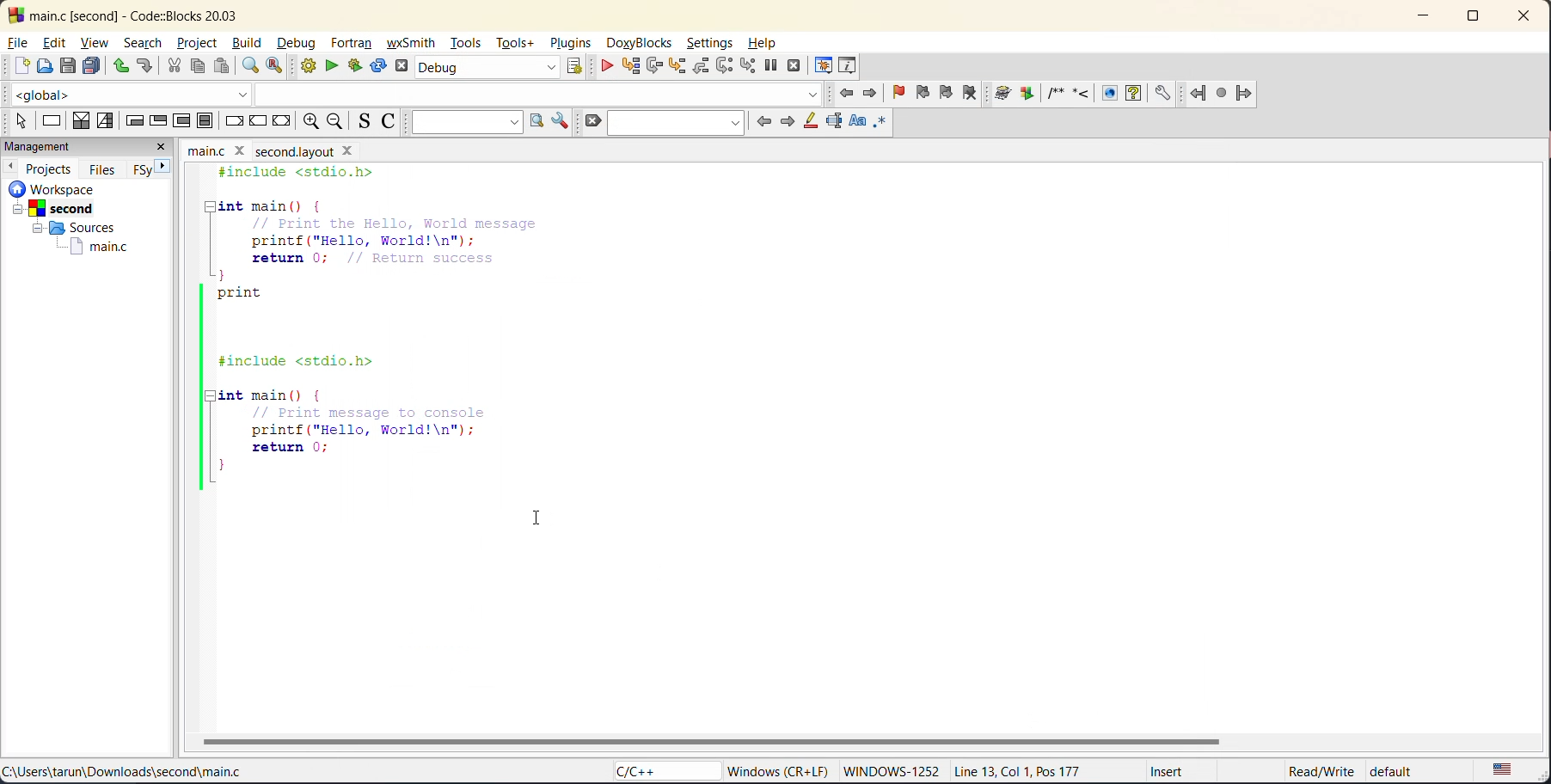 This screenshot has height=784, width=1551. Describe the element at coordinates (380, 67) in the screenshot. I see `rebuild` at that location.